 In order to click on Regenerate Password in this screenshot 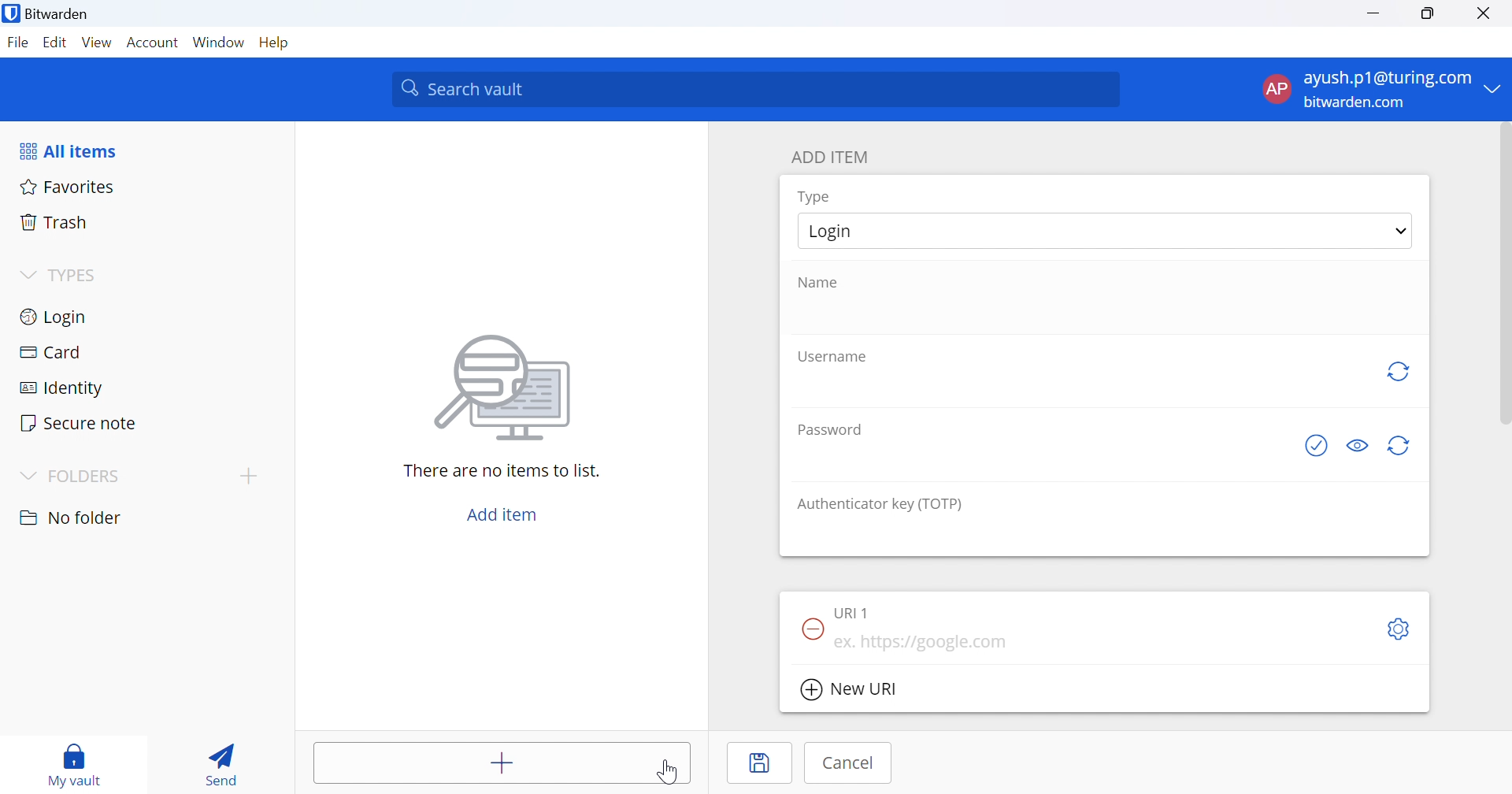, I will do `click(1402, 445)`.